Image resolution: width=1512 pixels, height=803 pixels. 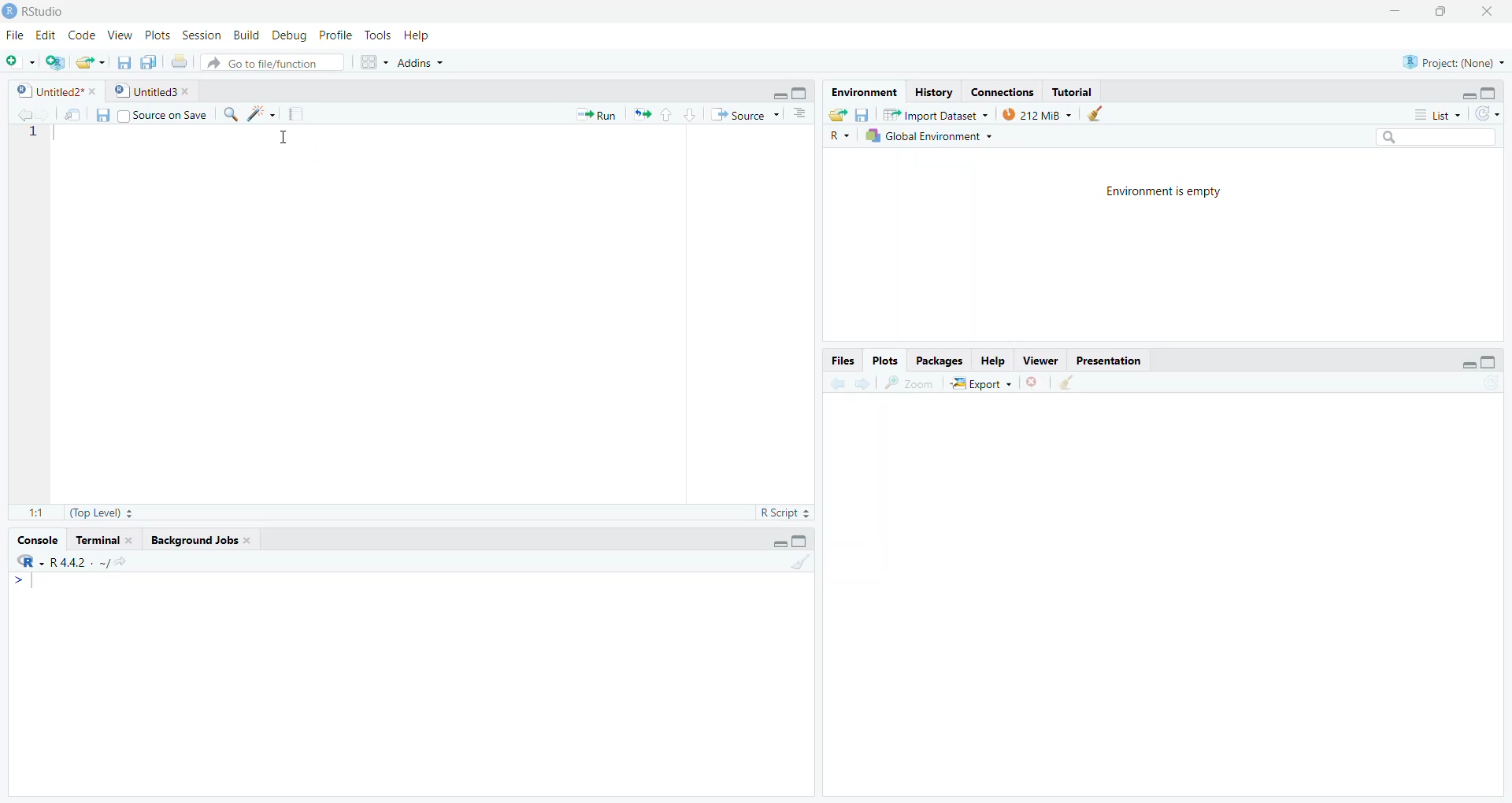 I want to click on help, so click(x=990, y=360).